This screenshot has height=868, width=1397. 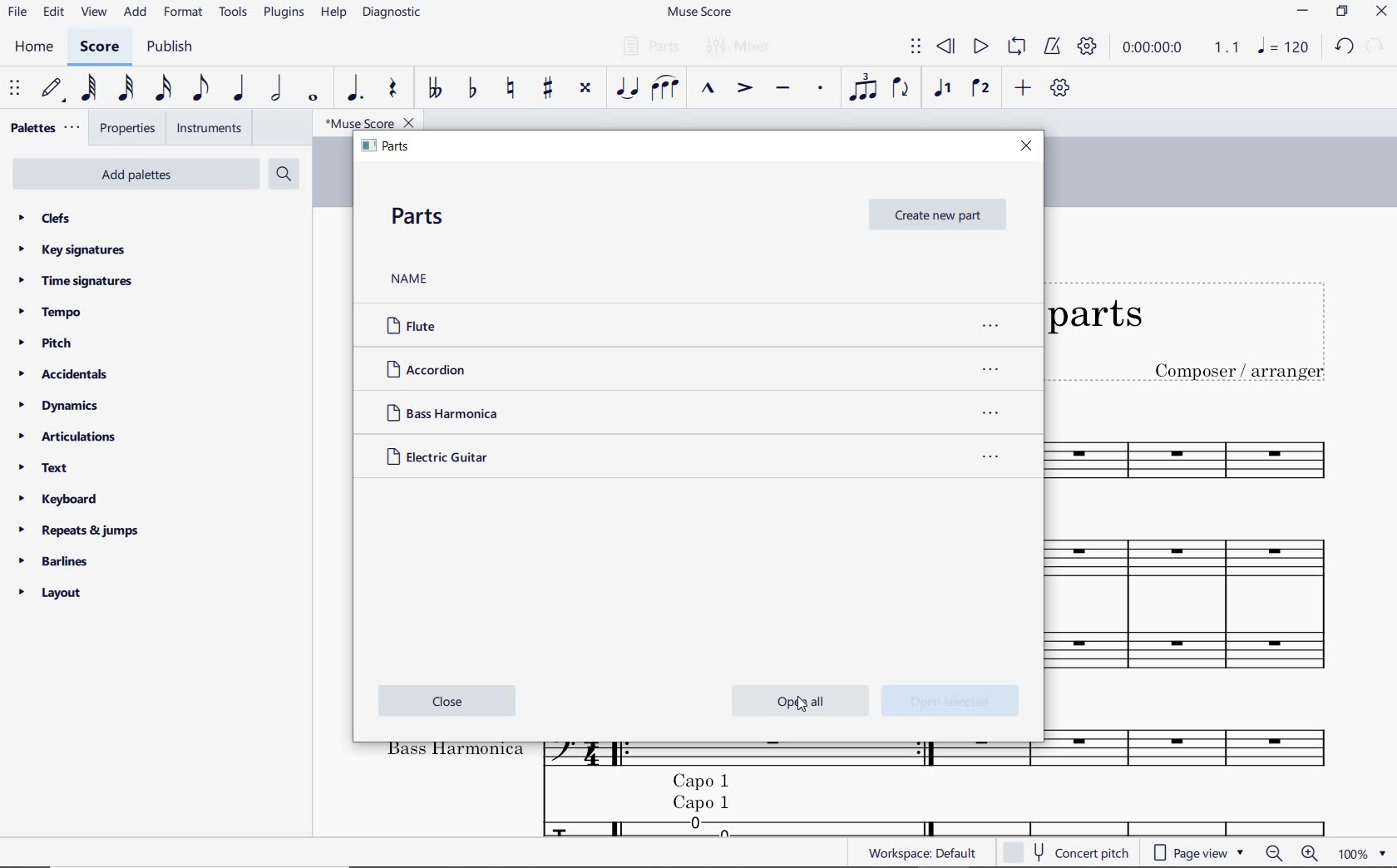 I want to click on staccato, so click(x=822, y=88).